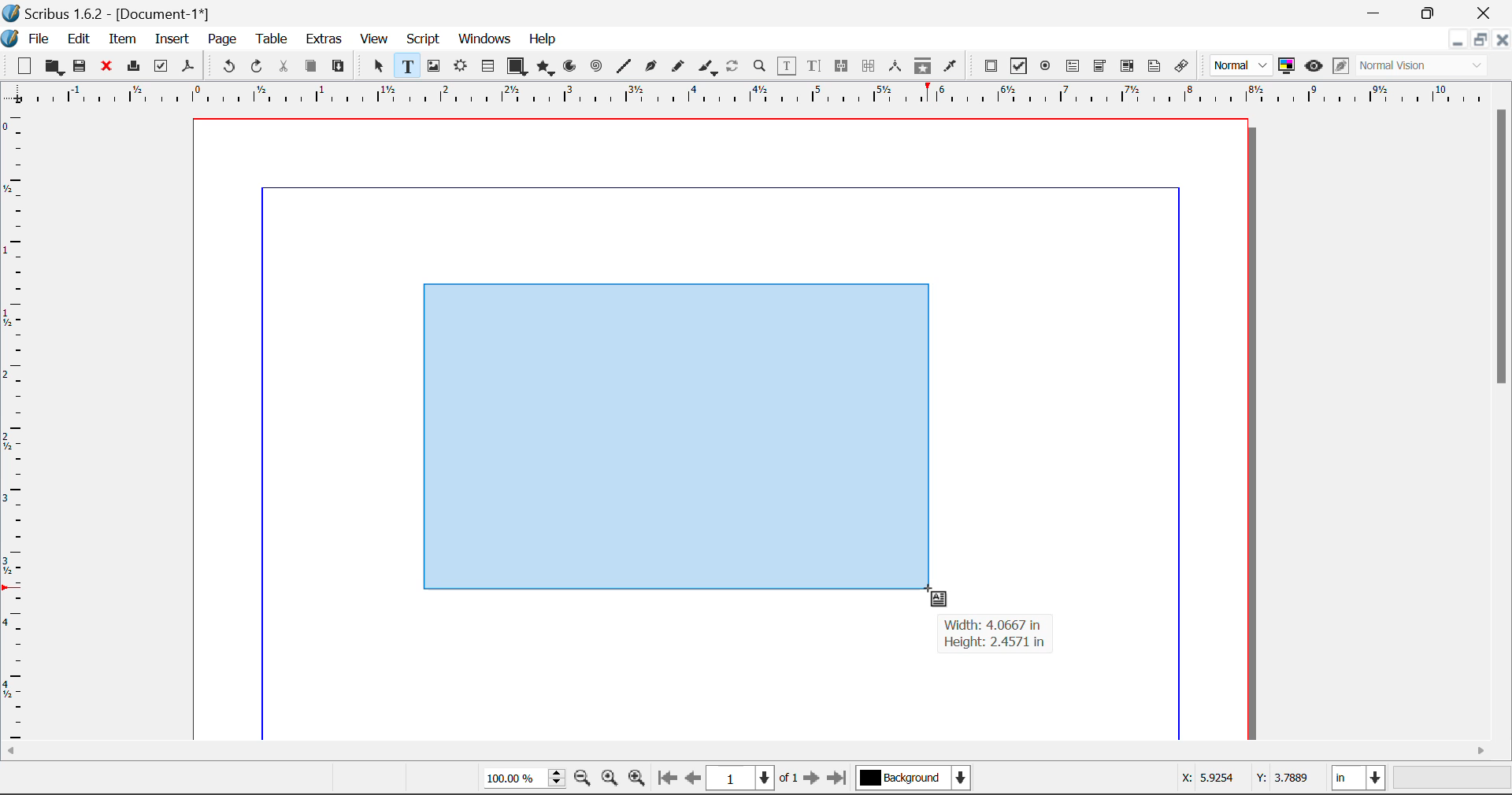 Image resolution: width=1512 pixels, height=795 pixels. Describe the element at coordinates (1485, 13) in the screenshot. I see `Close` at that location.